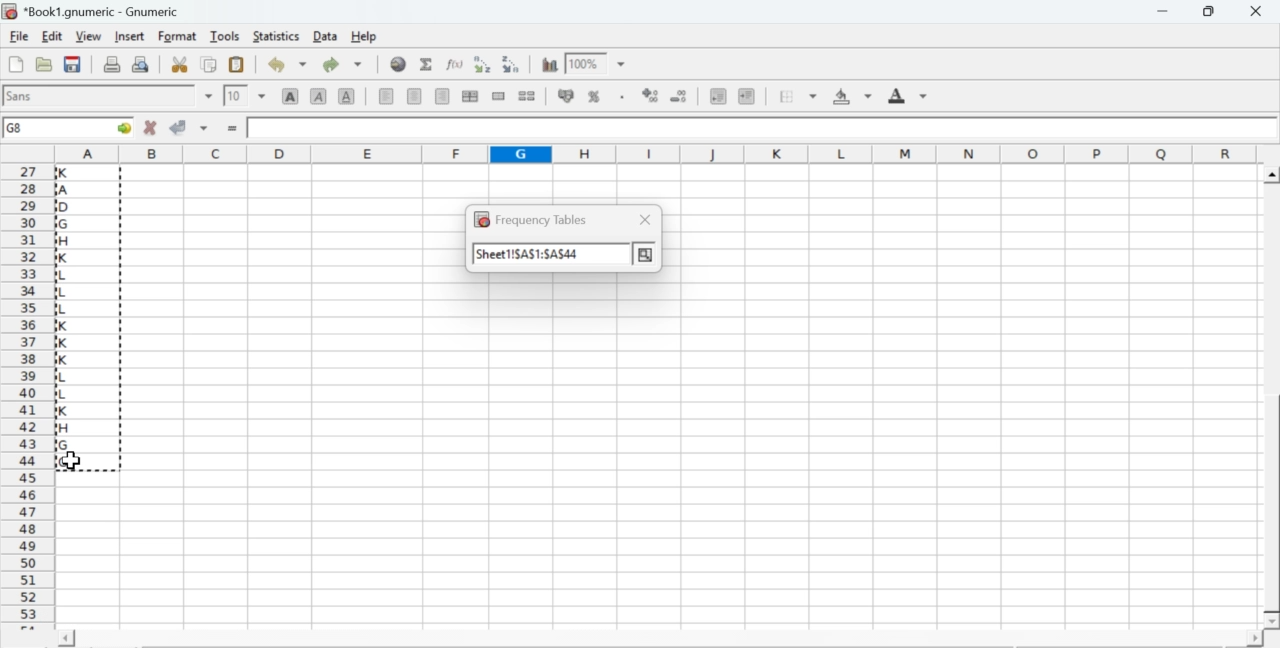 The width and height of the screenshot is (1280, 648). I want to click on statistics, so click(274, 36).